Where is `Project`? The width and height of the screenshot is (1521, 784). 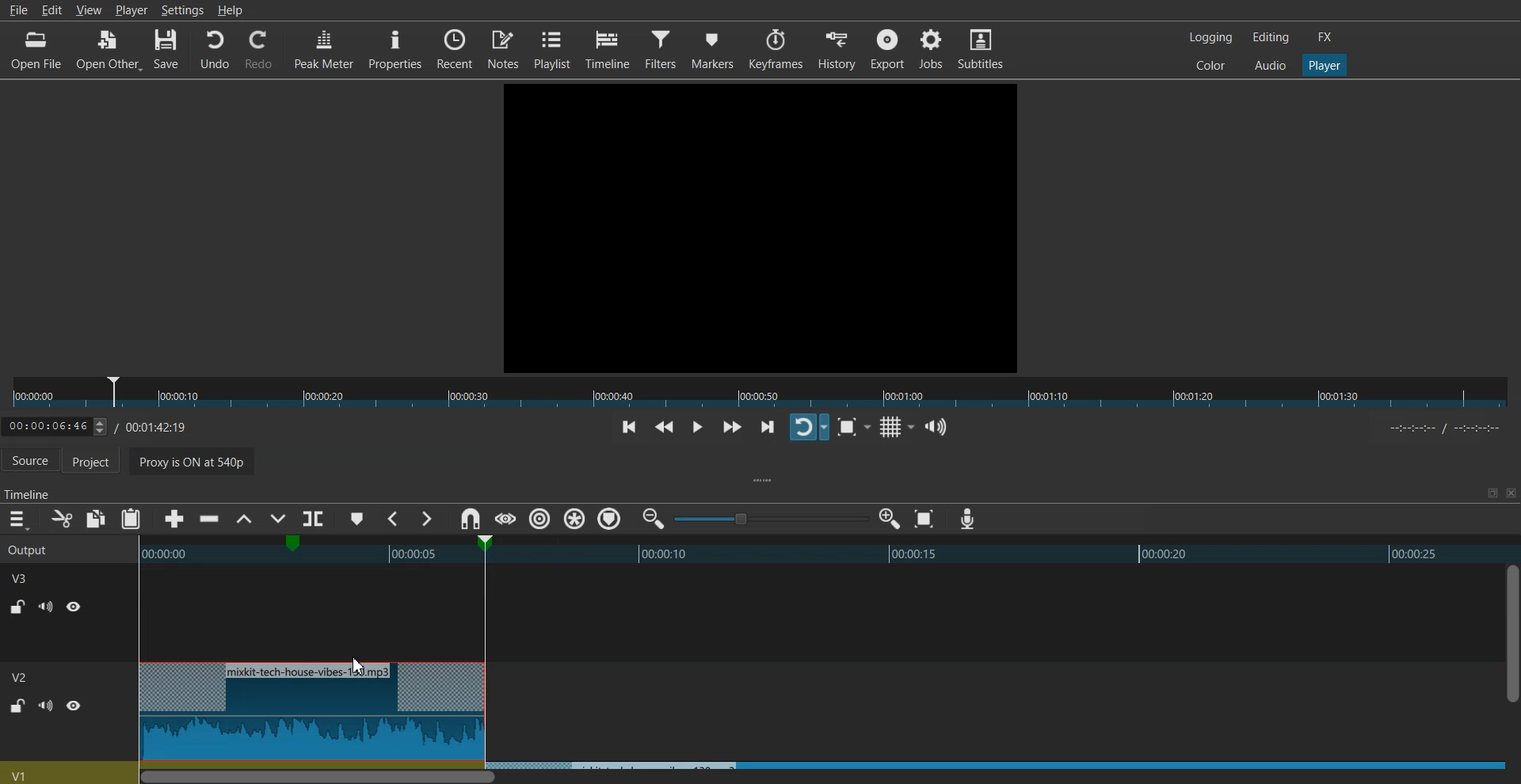
Project is located at coordinates (99, 462).